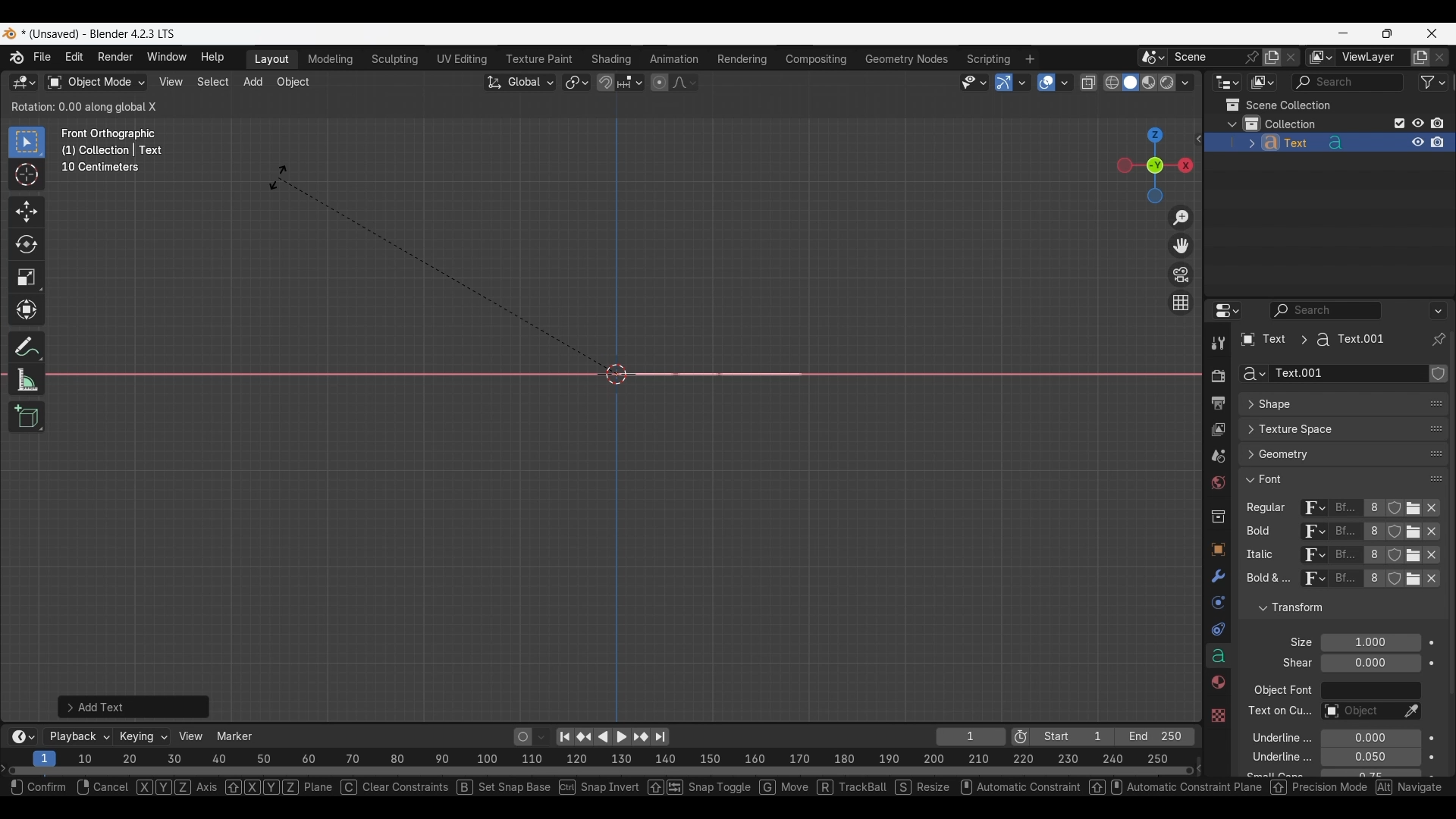 The image size is (1456, 819). Describe the element at coordinates (1438, 340) in the screenshot. I see `Toggle pin ID` at that location.